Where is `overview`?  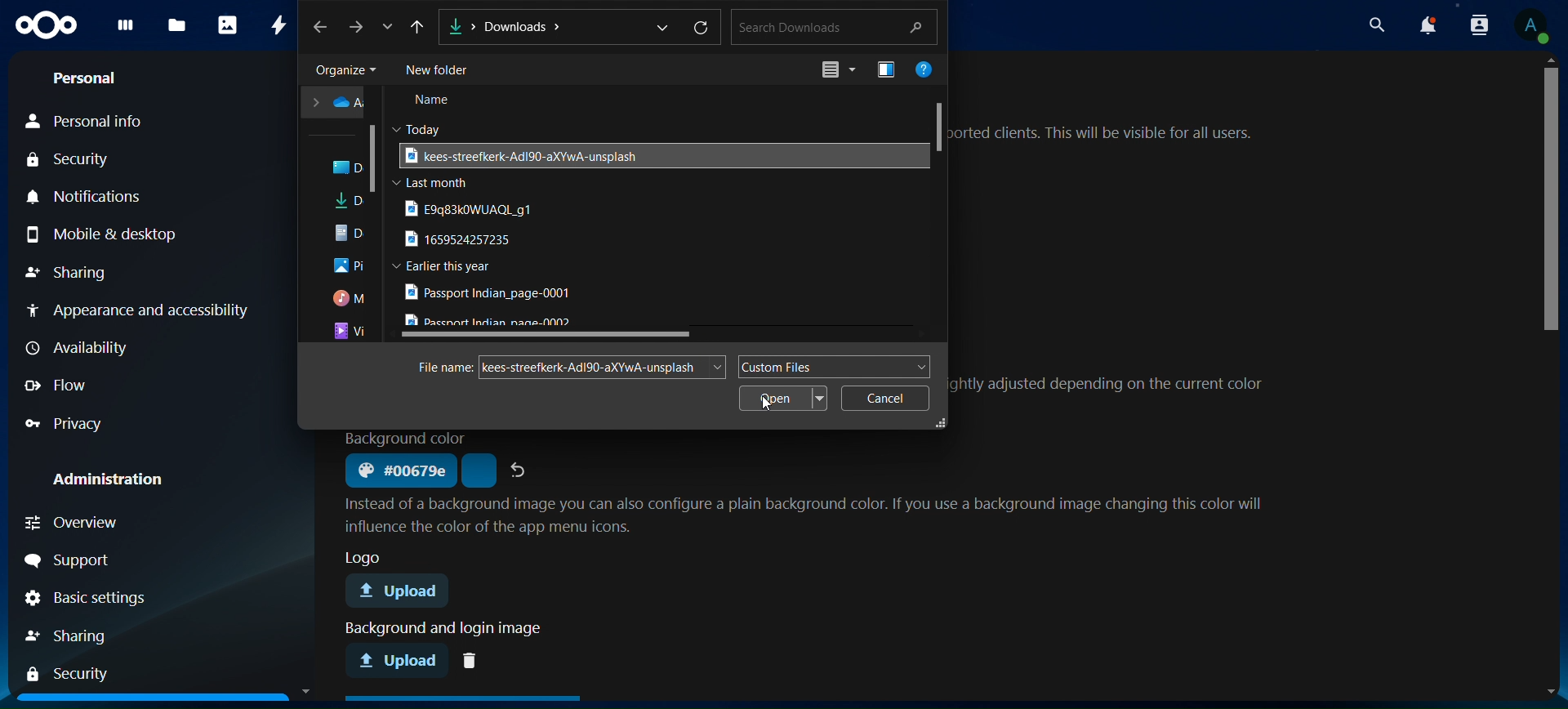 overview is located at coordinates (87, 521).